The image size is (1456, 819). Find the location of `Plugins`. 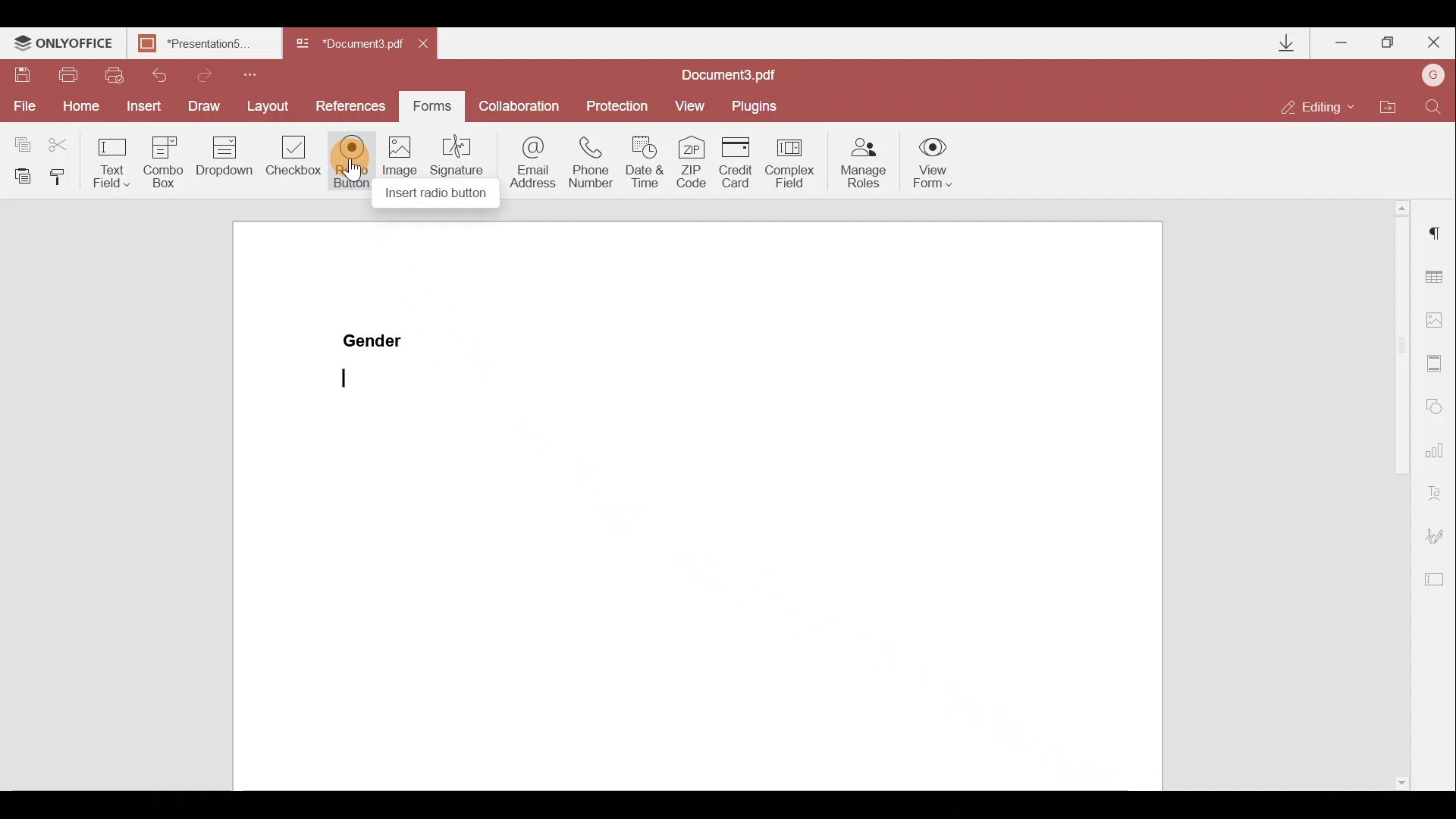

Plugins is located at coordinates (760, 103).